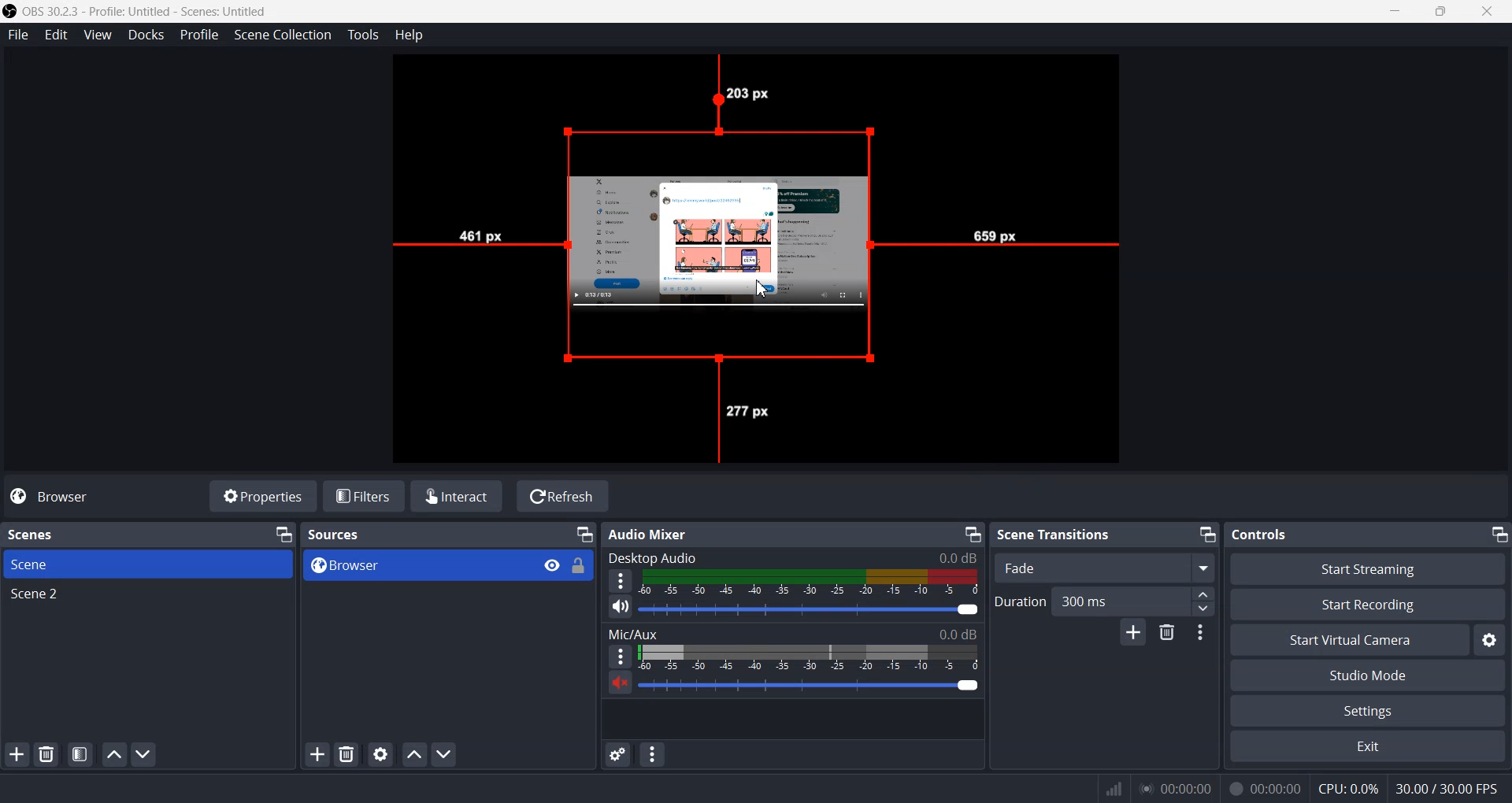  What do you see at coordinates (1198, 633) in the screenshot?
I see `Transition properties` at bounding box center [1198, 633].